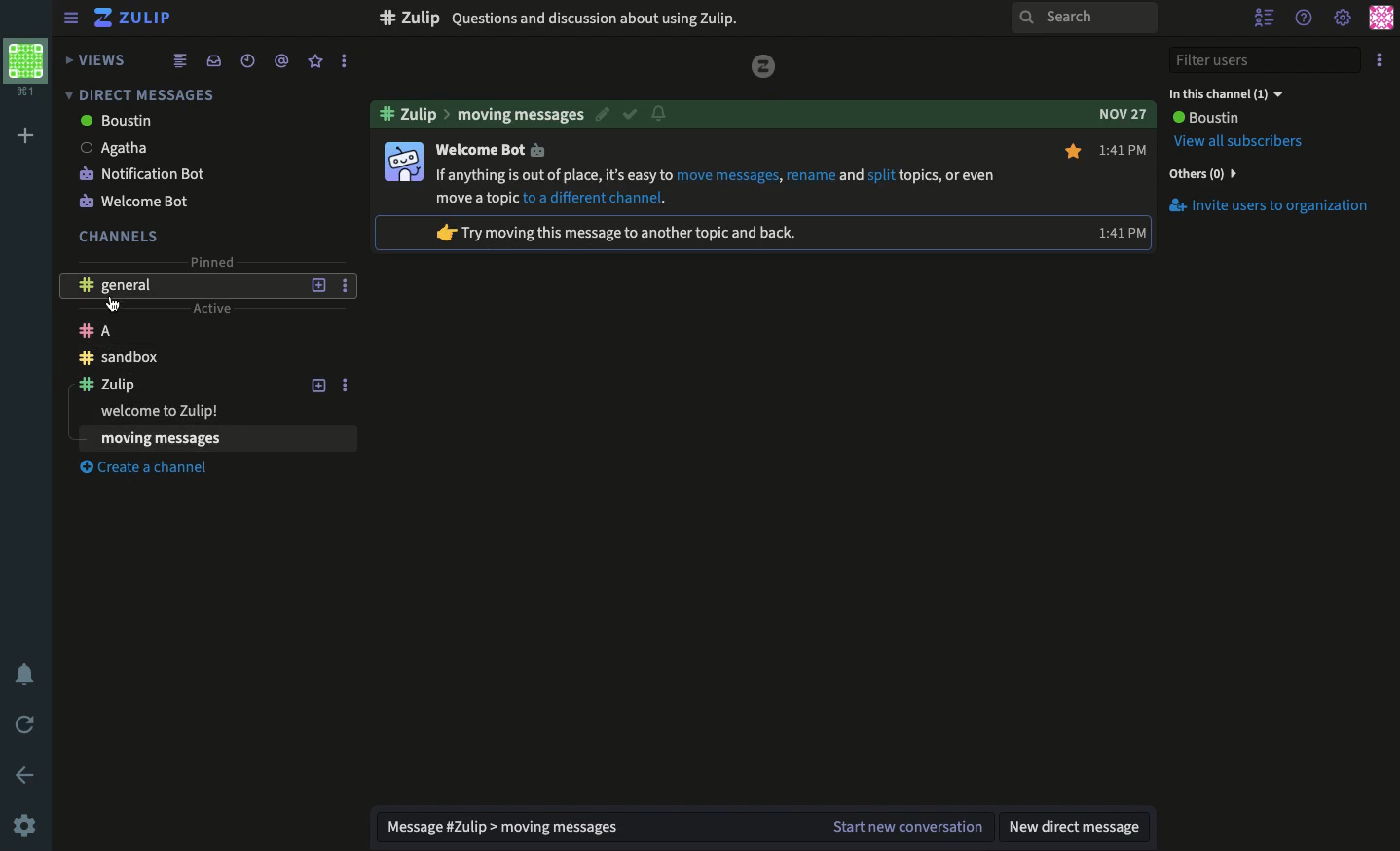  Describe the element at coordinates (1204, 118) in the screenshot. I see `User` at that location.